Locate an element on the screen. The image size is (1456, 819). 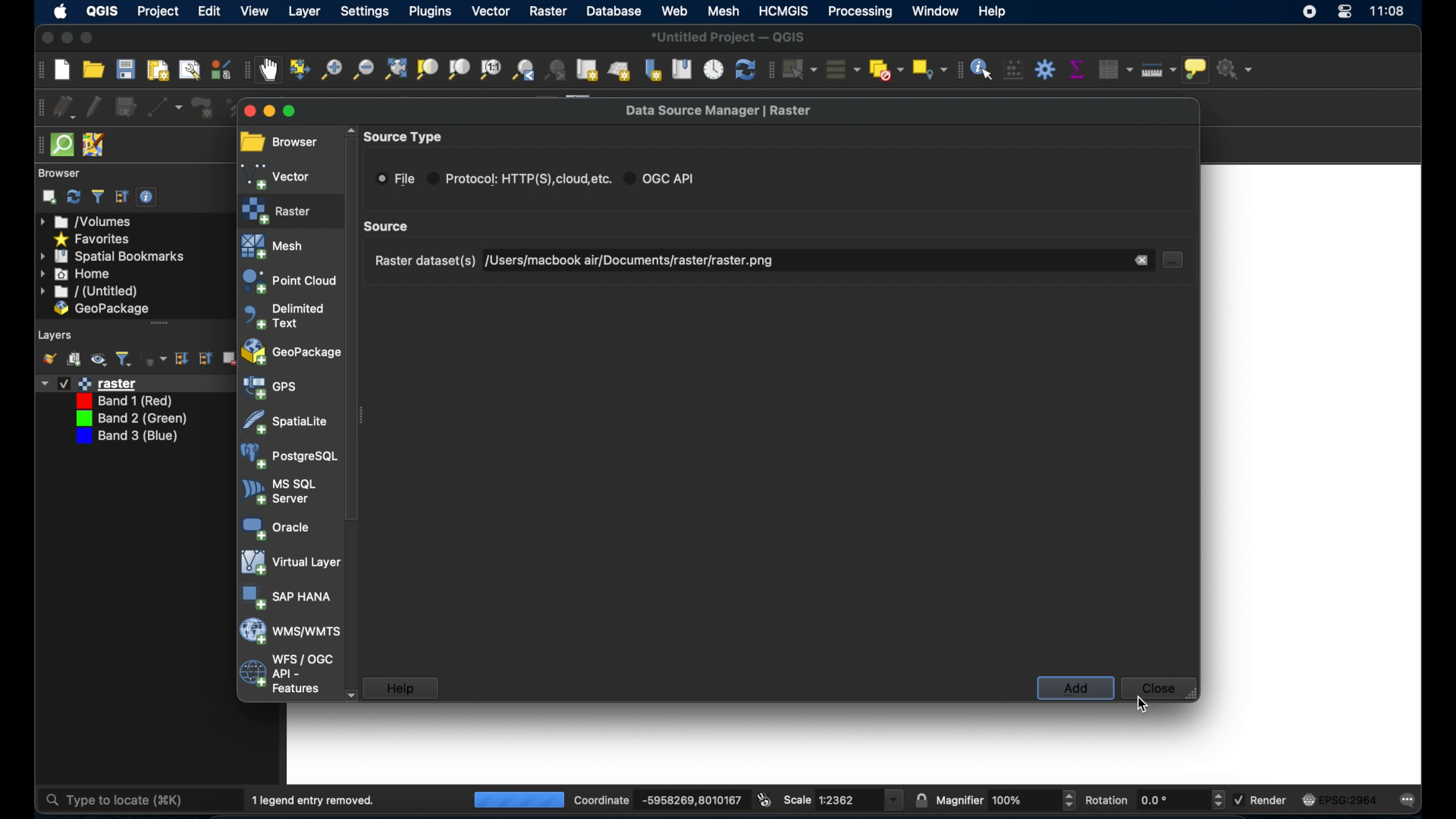
open layer styling panel is located at coordinates (49, 358).